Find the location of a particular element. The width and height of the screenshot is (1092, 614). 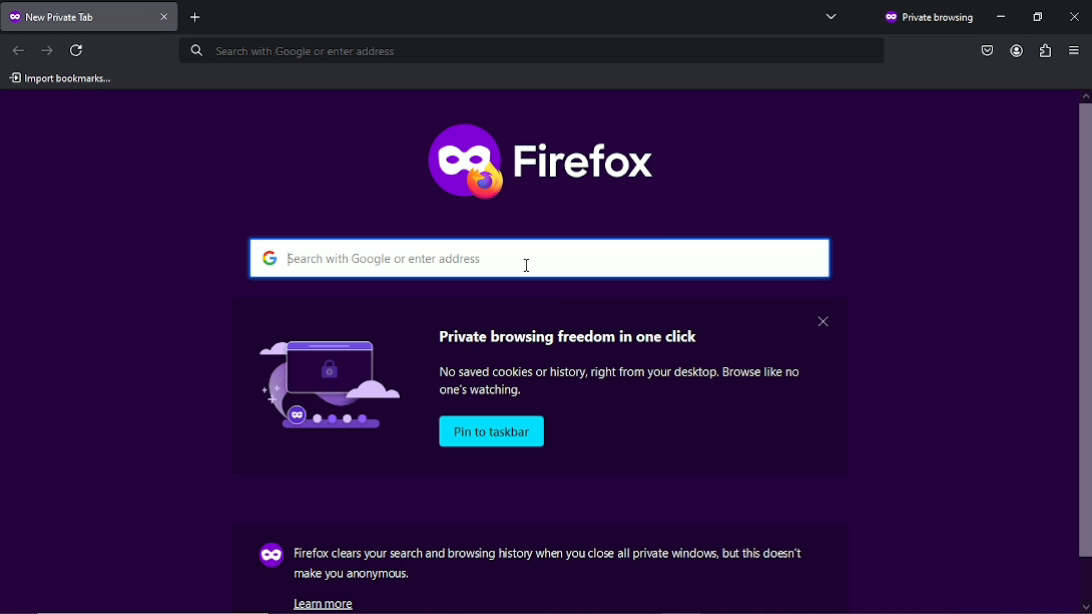

close is located at coordinates (166, 18).